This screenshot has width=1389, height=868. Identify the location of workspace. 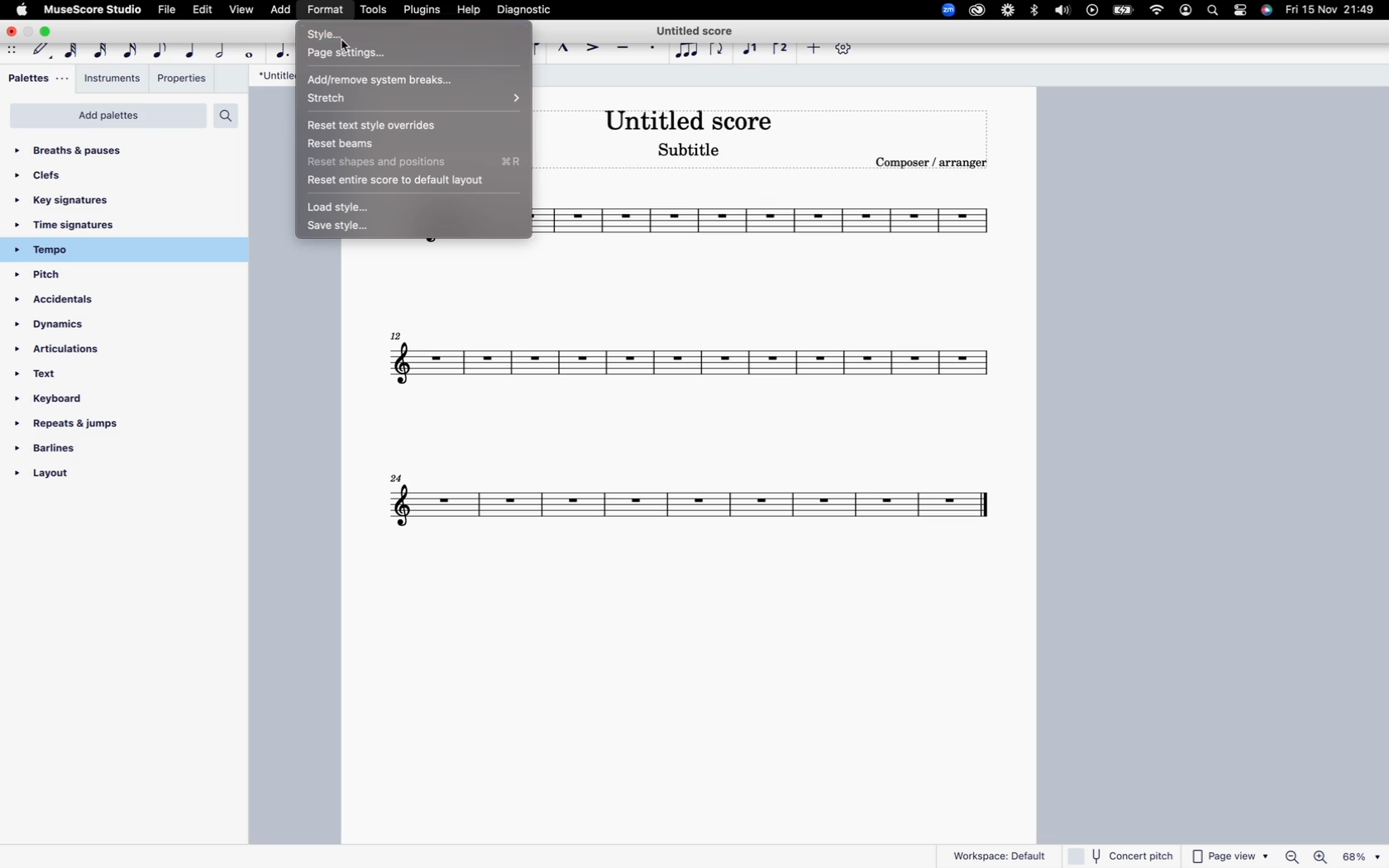
(1000, 853).